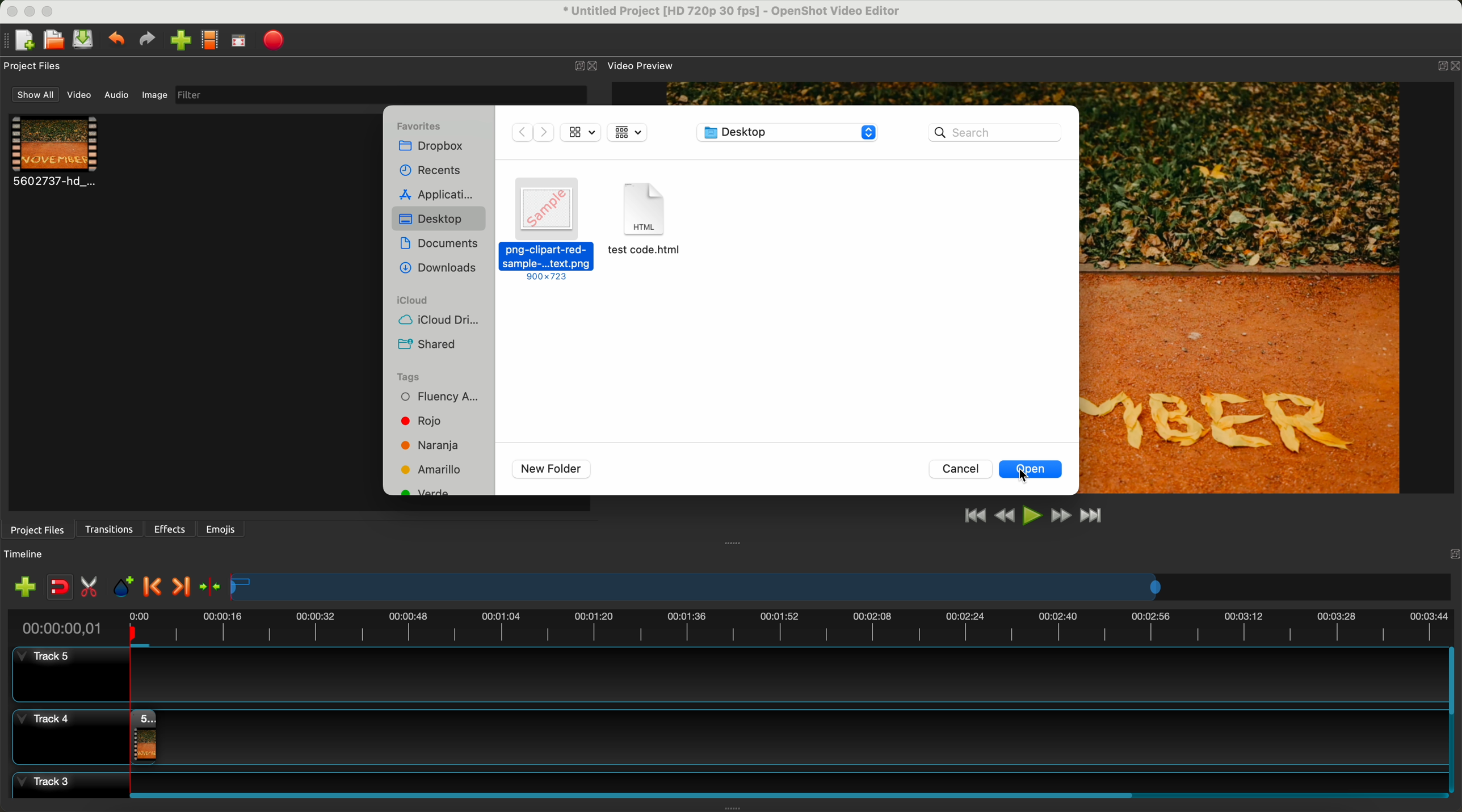 This screenshot has width=1462, height=812. Describe the element at coordinates (52, 10) in the screenshot. I see `maximize` at that location.